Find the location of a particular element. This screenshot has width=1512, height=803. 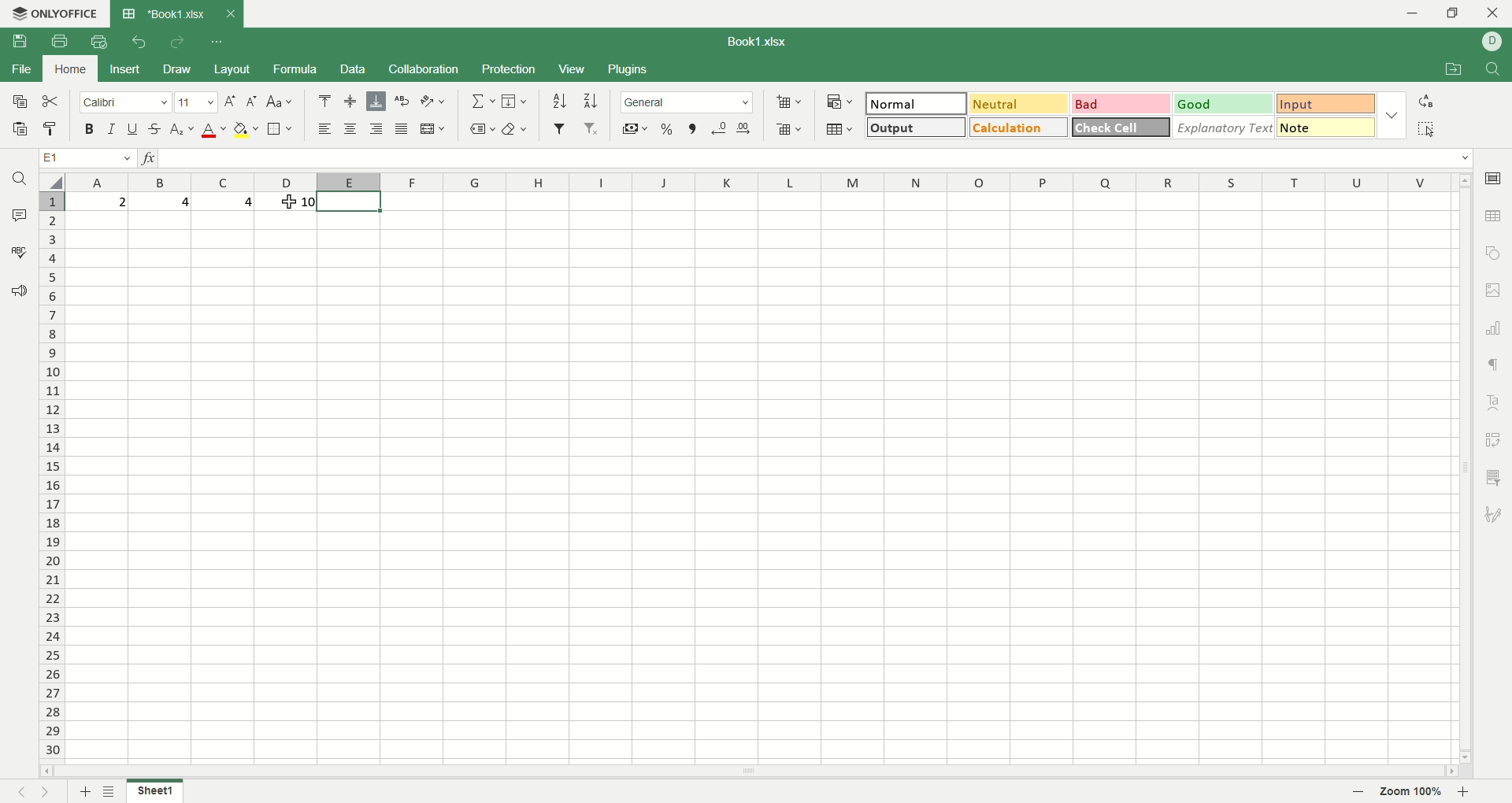

redo is located at coordinates (177, 44).